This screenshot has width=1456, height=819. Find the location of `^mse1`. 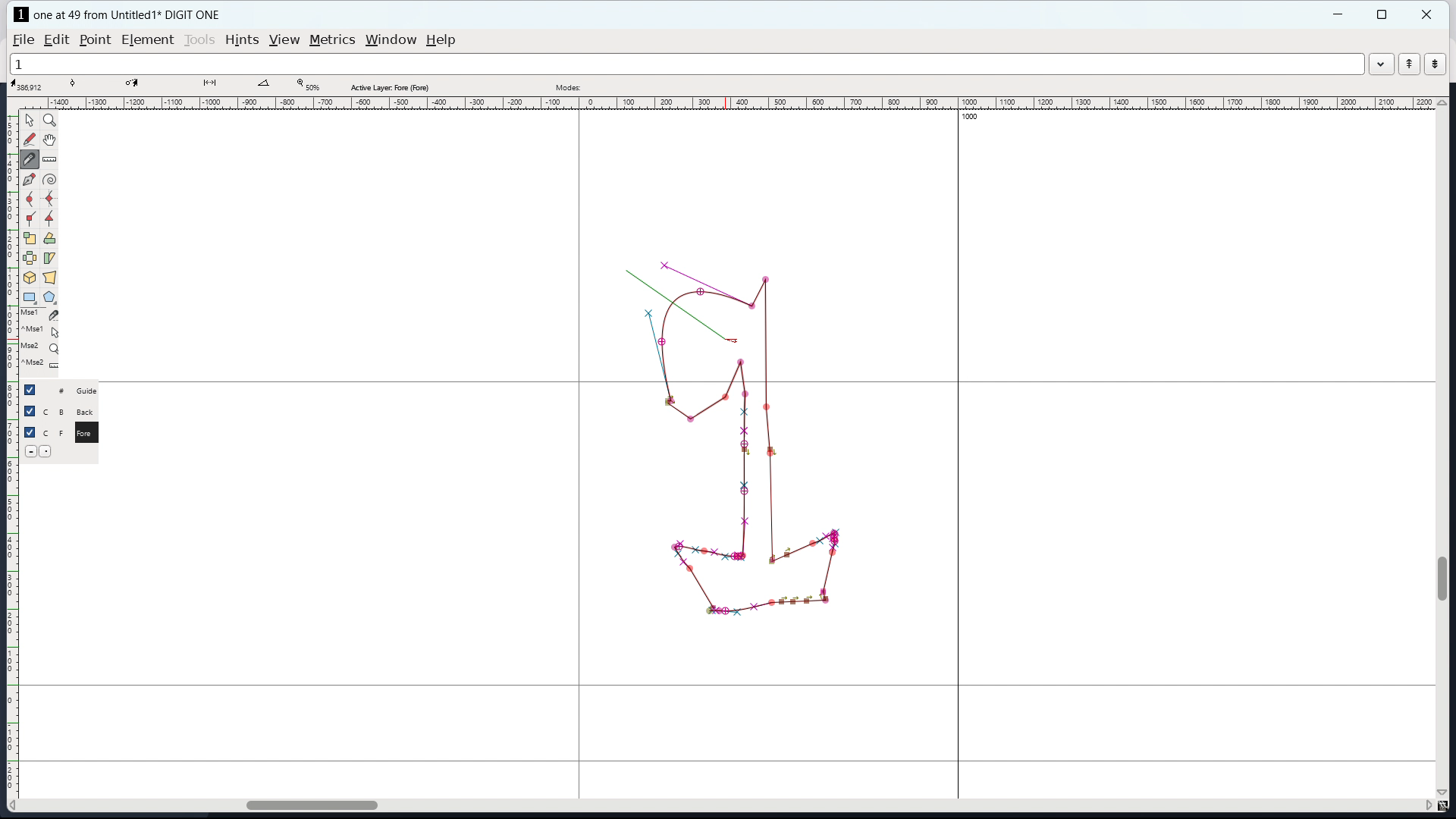

^mse1 is located at coordinates (42, 329).